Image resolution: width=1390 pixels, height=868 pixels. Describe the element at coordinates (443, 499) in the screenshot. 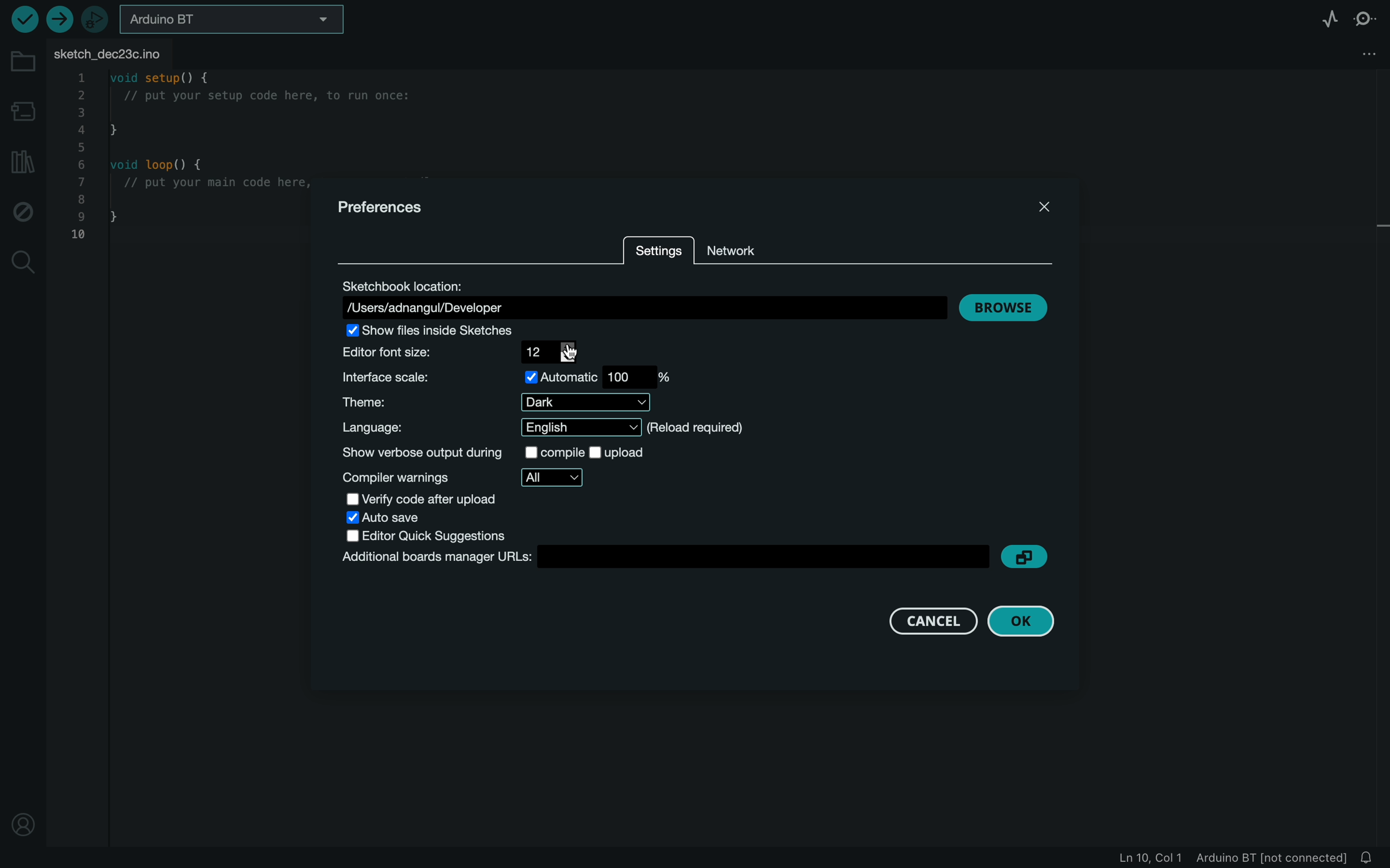

I see `verify code` at that location.